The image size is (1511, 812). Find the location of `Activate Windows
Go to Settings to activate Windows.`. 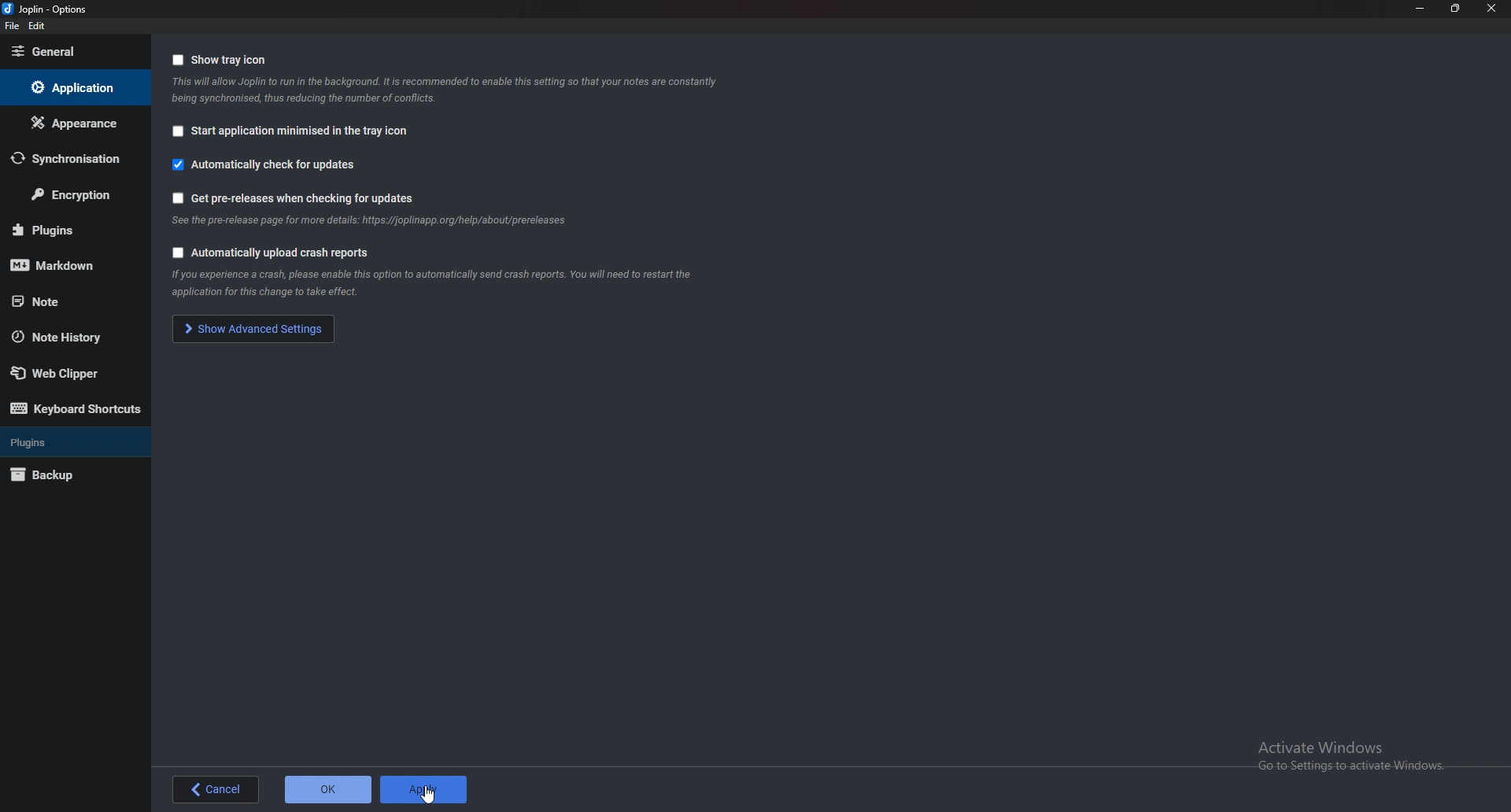

Activate Windows
Go to Settings to activate Windows. is located at coordinates (1354, 756).